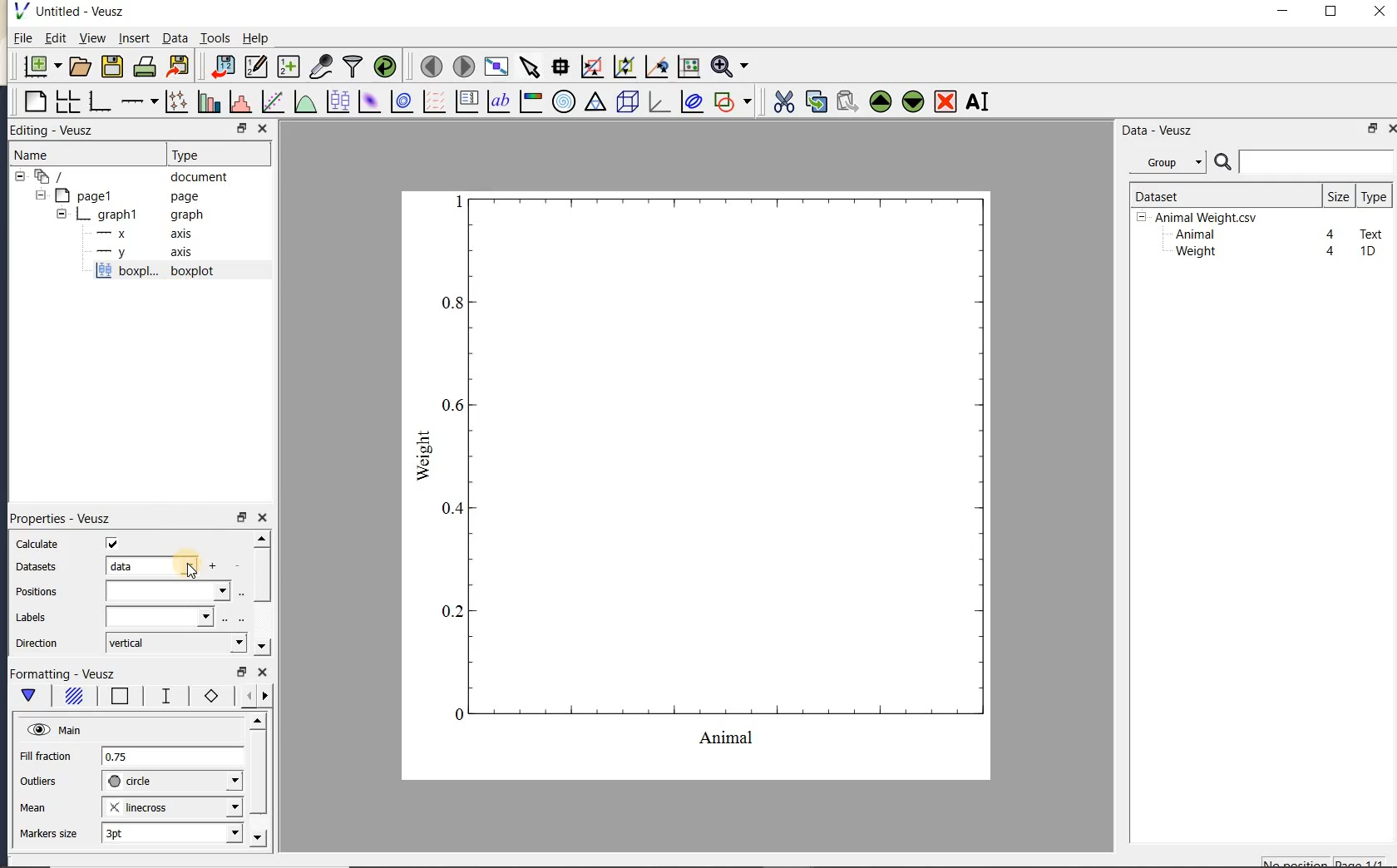 The width and height of the screenshot is (1397, 868). I want to click on vertical, so click(175, 644).